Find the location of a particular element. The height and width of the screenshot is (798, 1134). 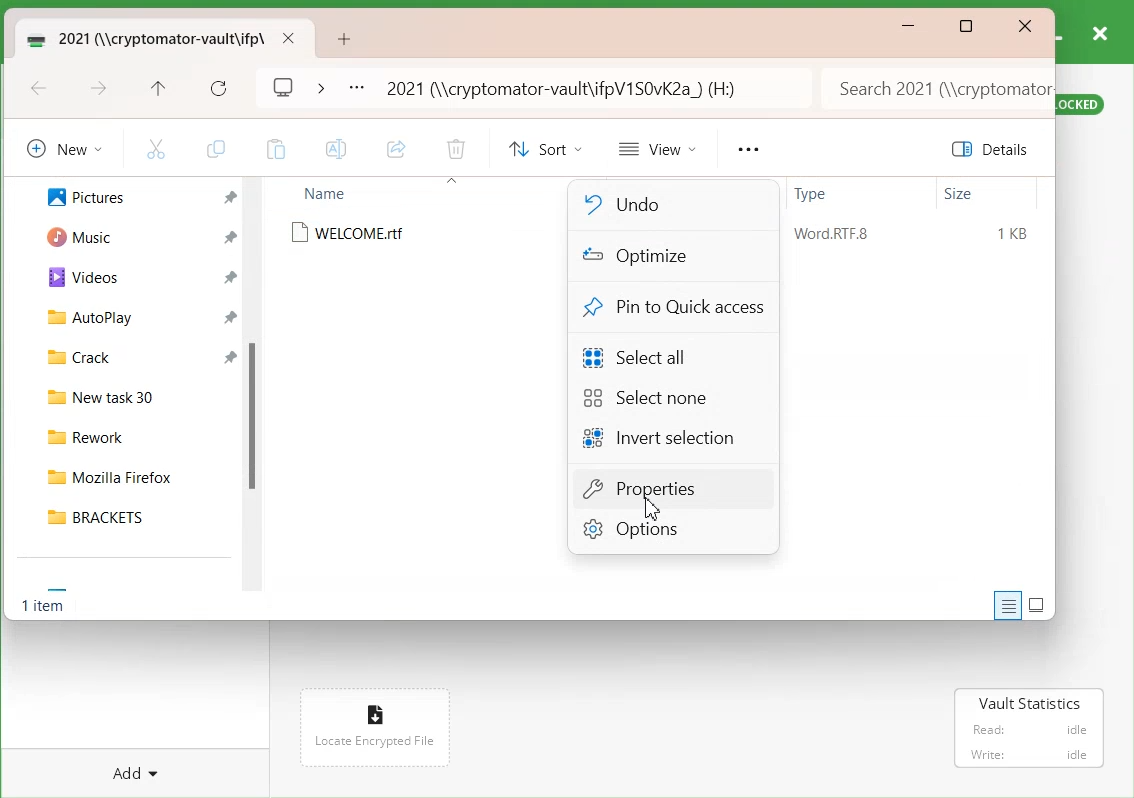

Videos is located at coordinates (75, 276).